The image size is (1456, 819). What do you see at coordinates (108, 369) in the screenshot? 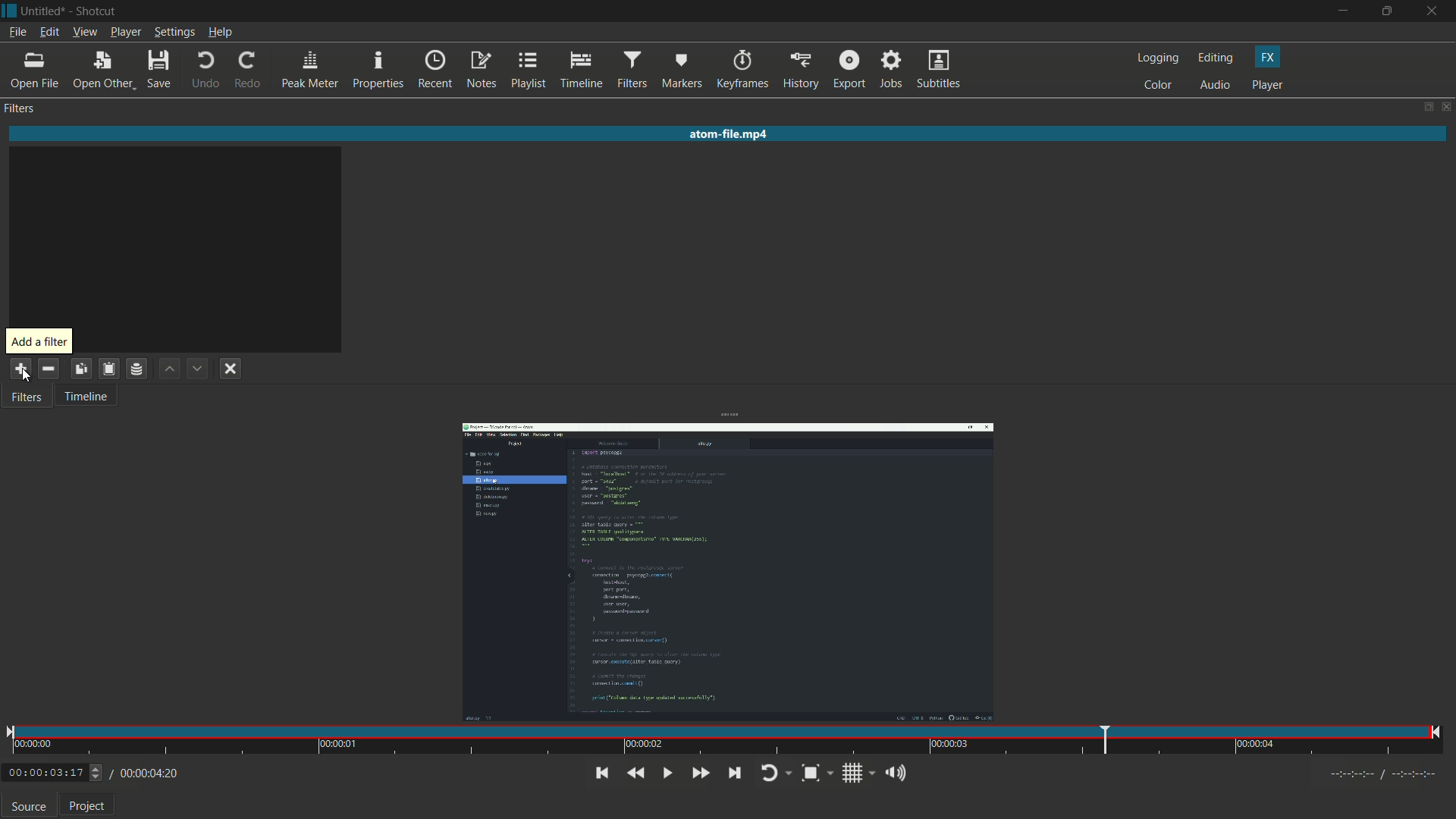
I see `save filter` at bounding box center [108, 369].